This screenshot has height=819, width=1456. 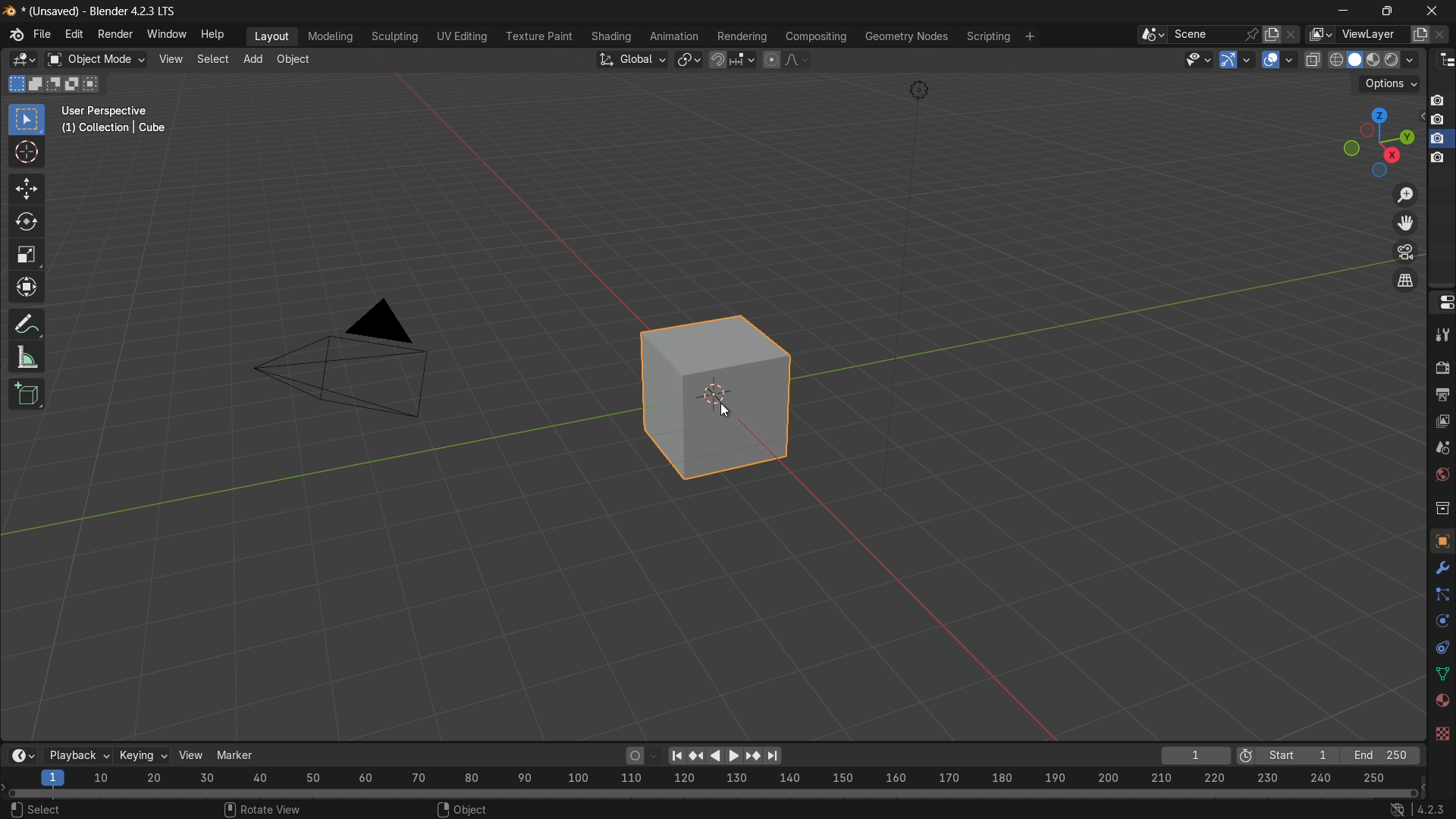 What do you see at coordinates (330, 35) in the screenshot?
I see `modeling menu` at bounding box center [330, 35].